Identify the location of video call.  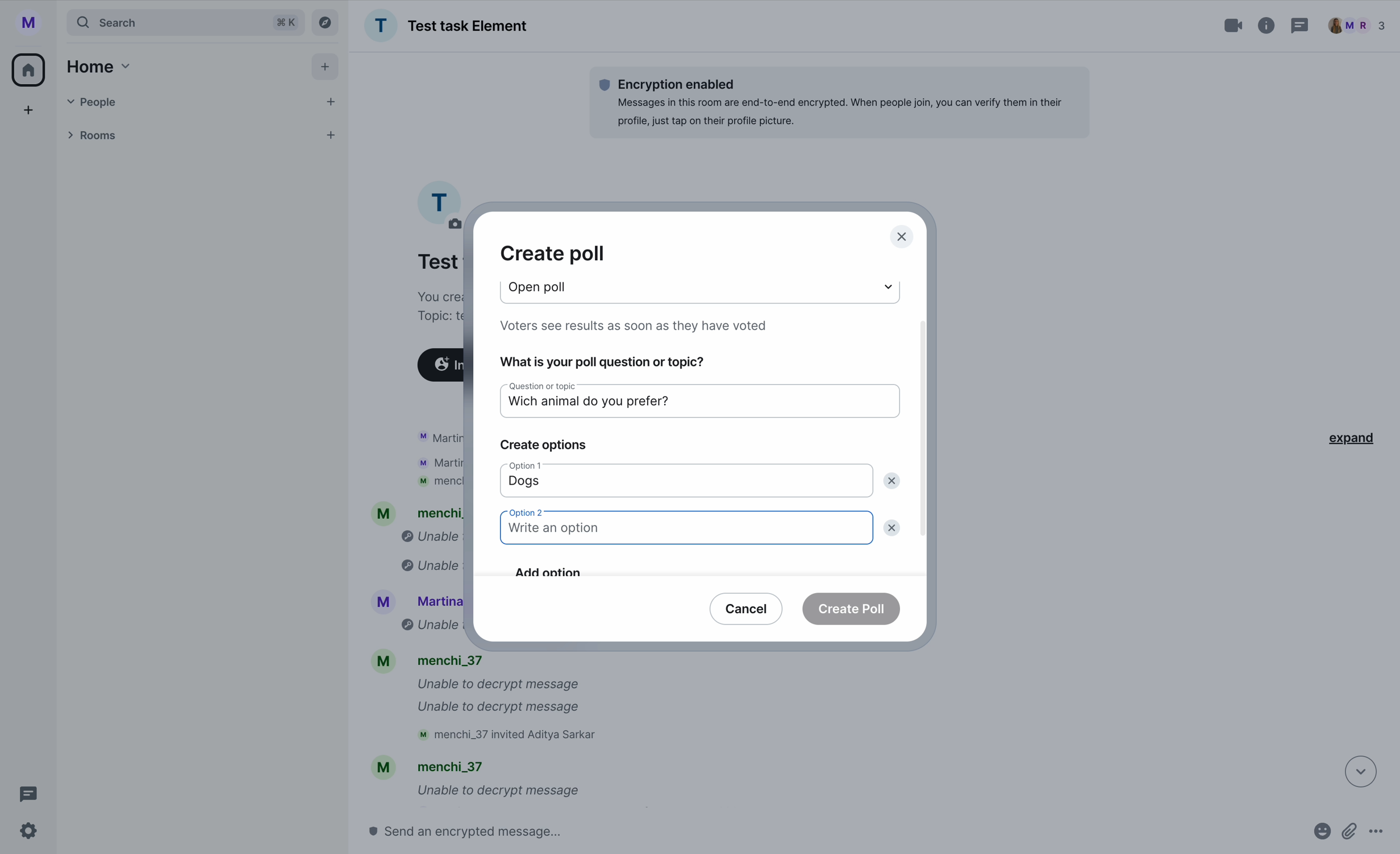
(1235, 26).